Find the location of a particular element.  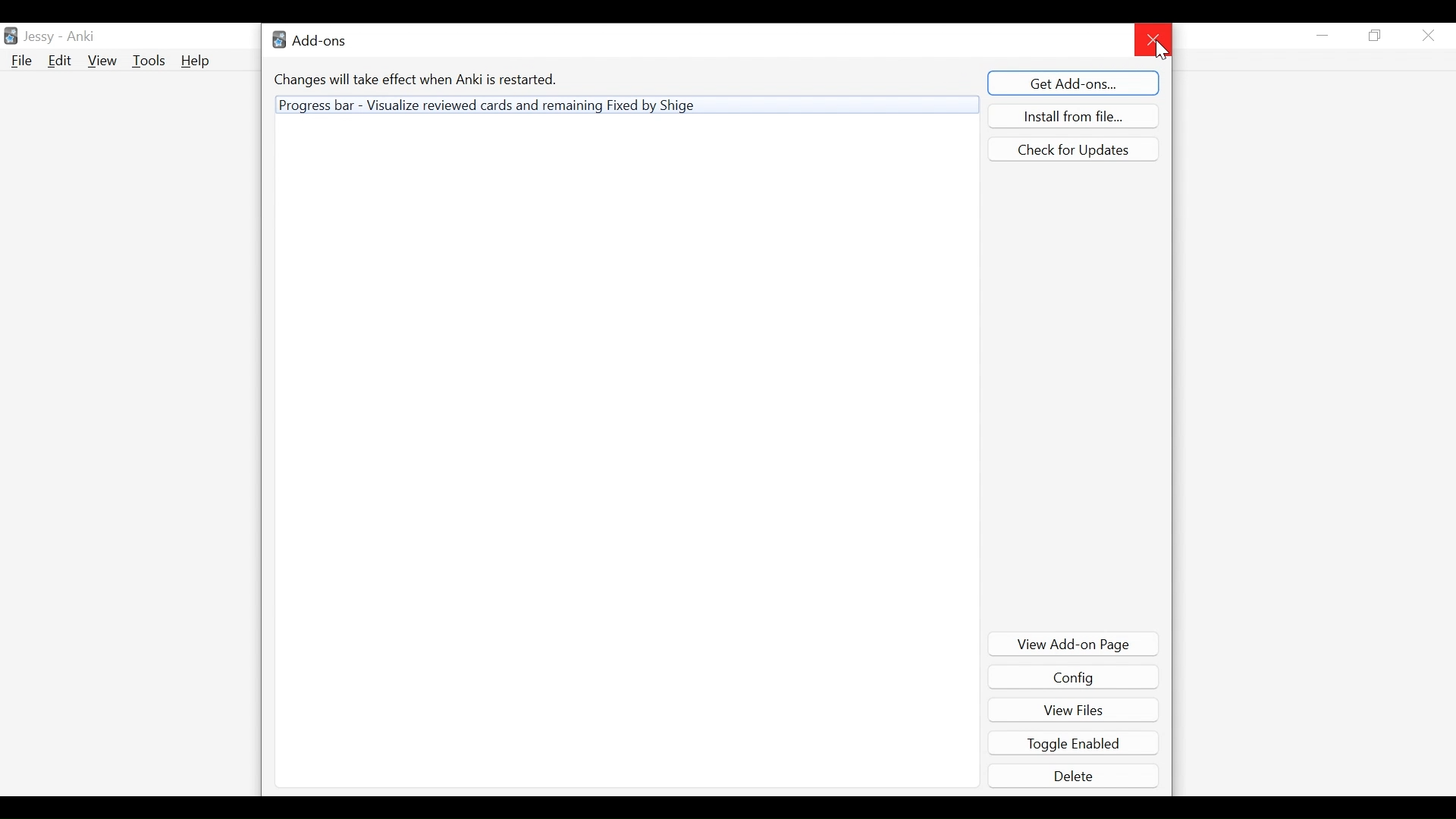

Changes will take effect when Anki is restarted is located at coordinates (418, 79).